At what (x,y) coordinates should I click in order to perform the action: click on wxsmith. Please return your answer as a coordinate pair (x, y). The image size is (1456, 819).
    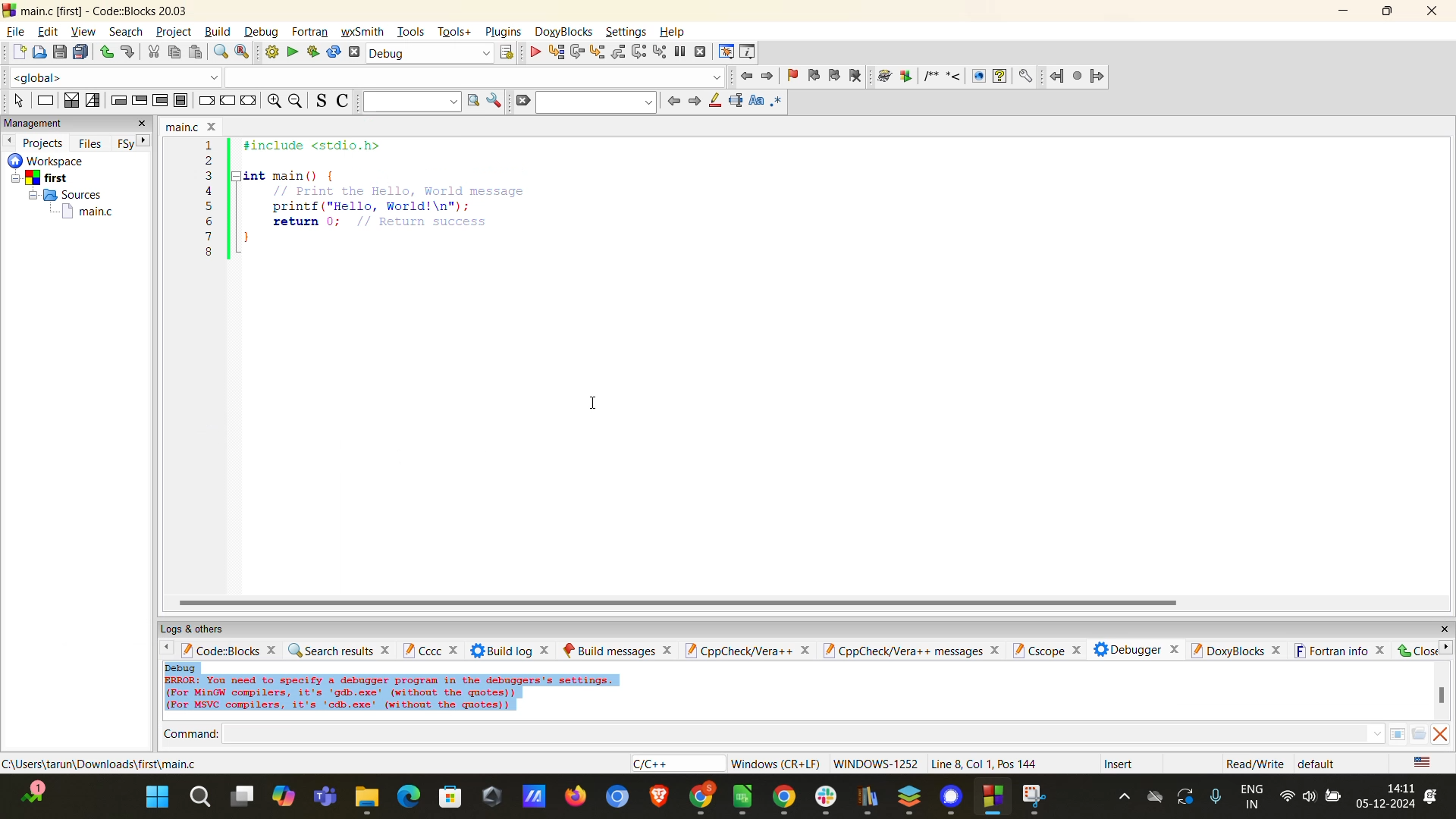
    Looking at the image, I should click on (362, 30).